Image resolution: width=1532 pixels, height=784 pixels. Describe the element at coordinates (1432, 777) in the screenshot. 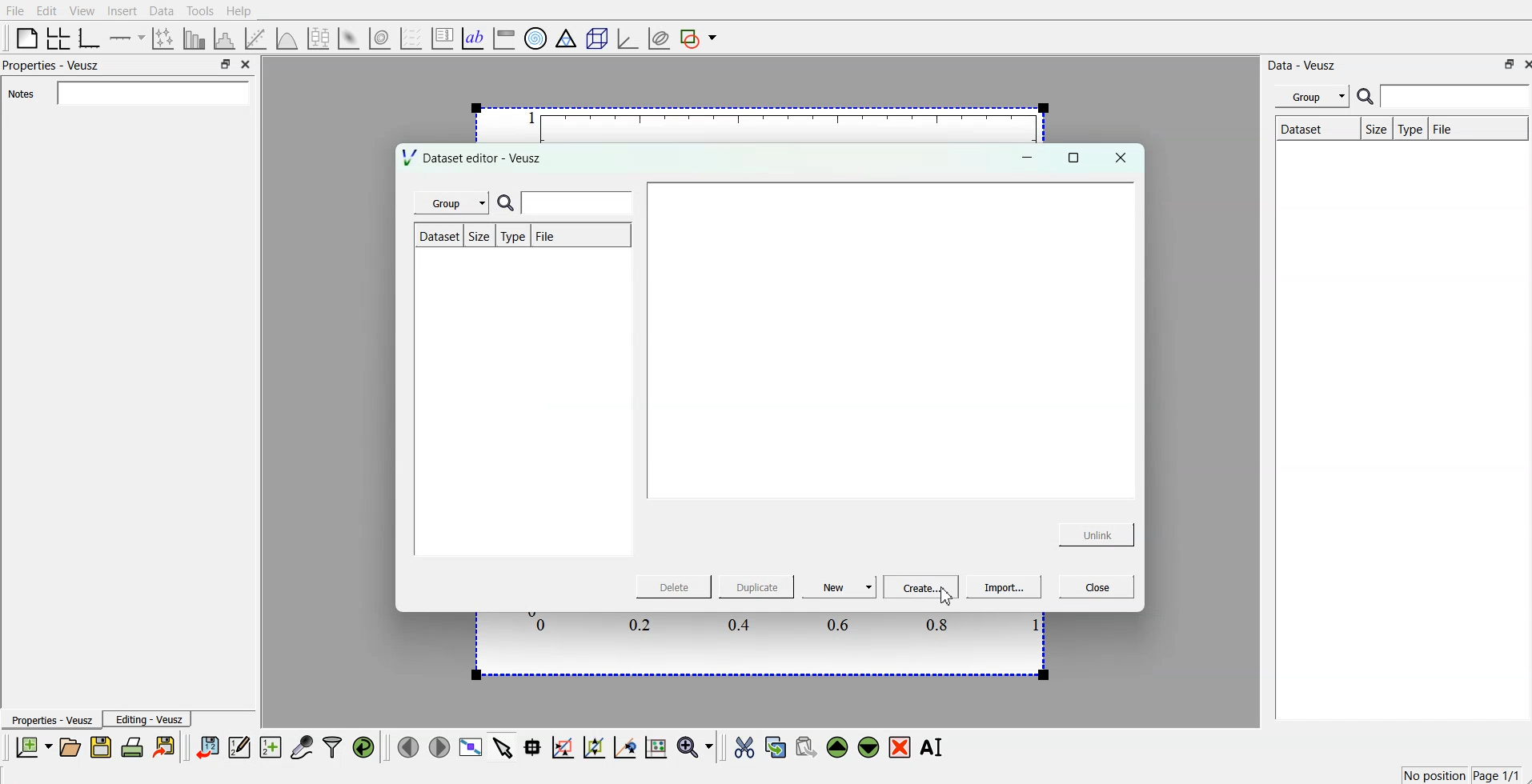

I see `No position` at that location.